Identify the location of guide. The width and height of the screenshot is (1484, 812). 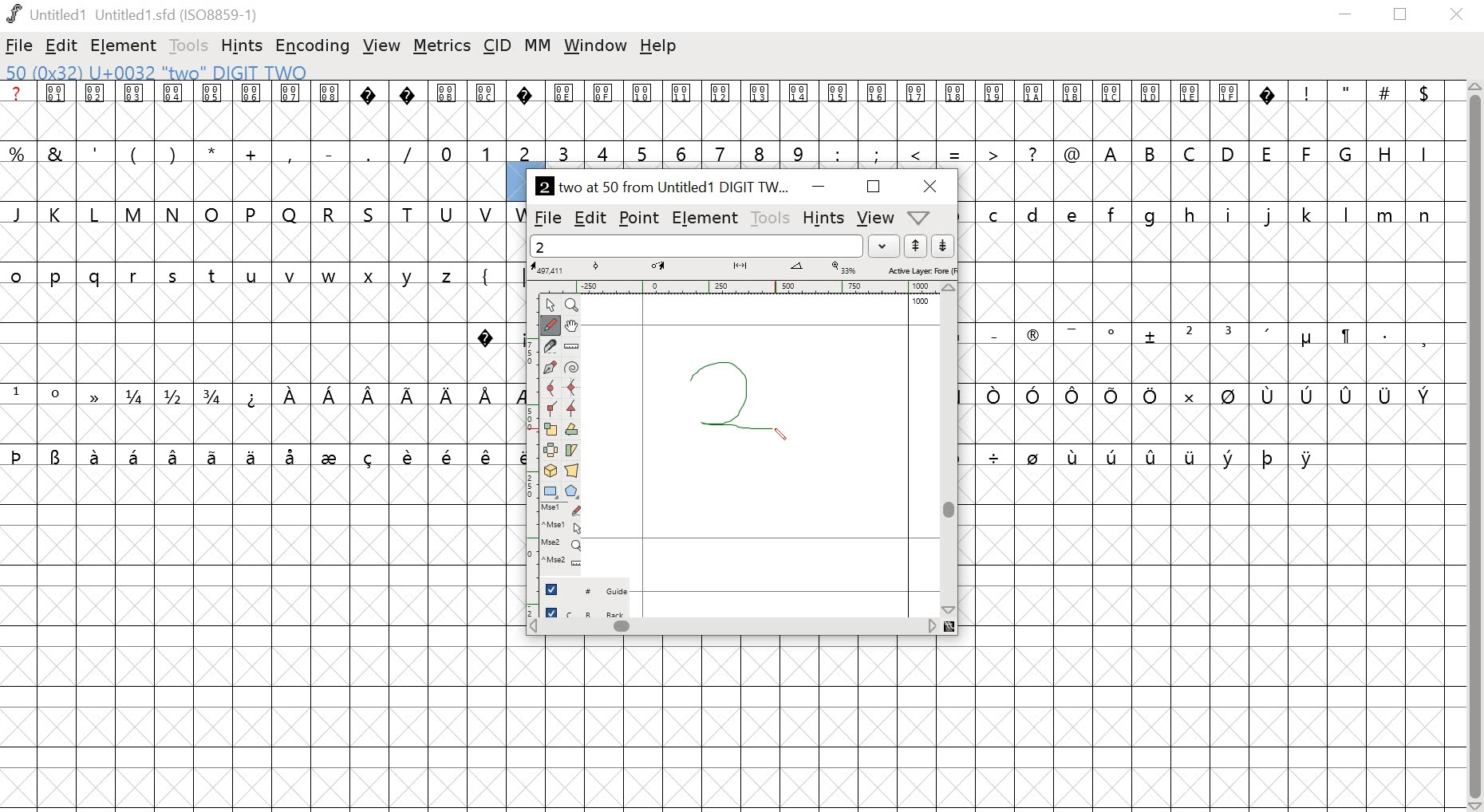
(589, 588).